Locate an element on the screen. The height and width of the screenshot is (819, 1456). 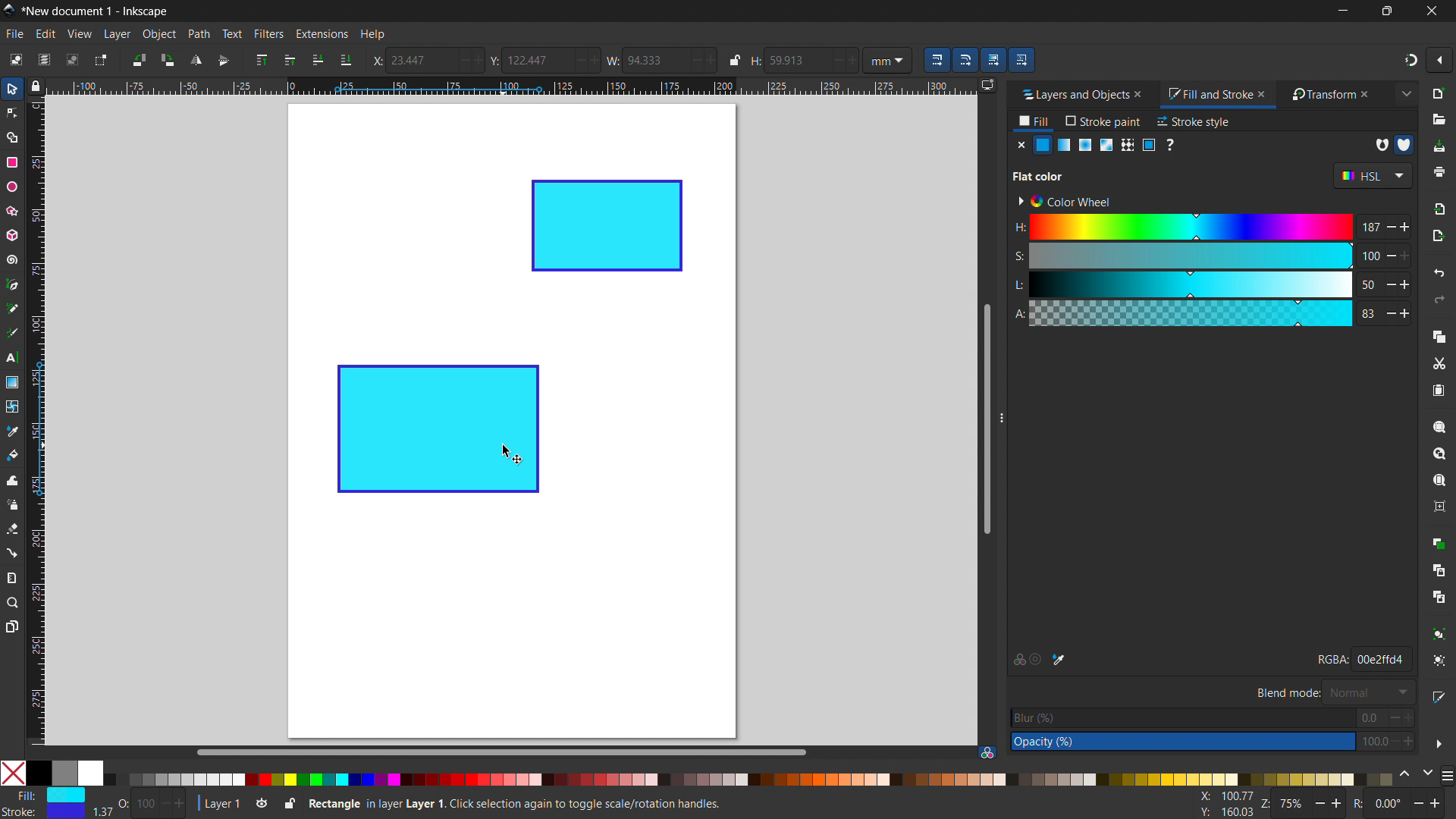
rotate 90 cw is located at coordinates (167, 60).